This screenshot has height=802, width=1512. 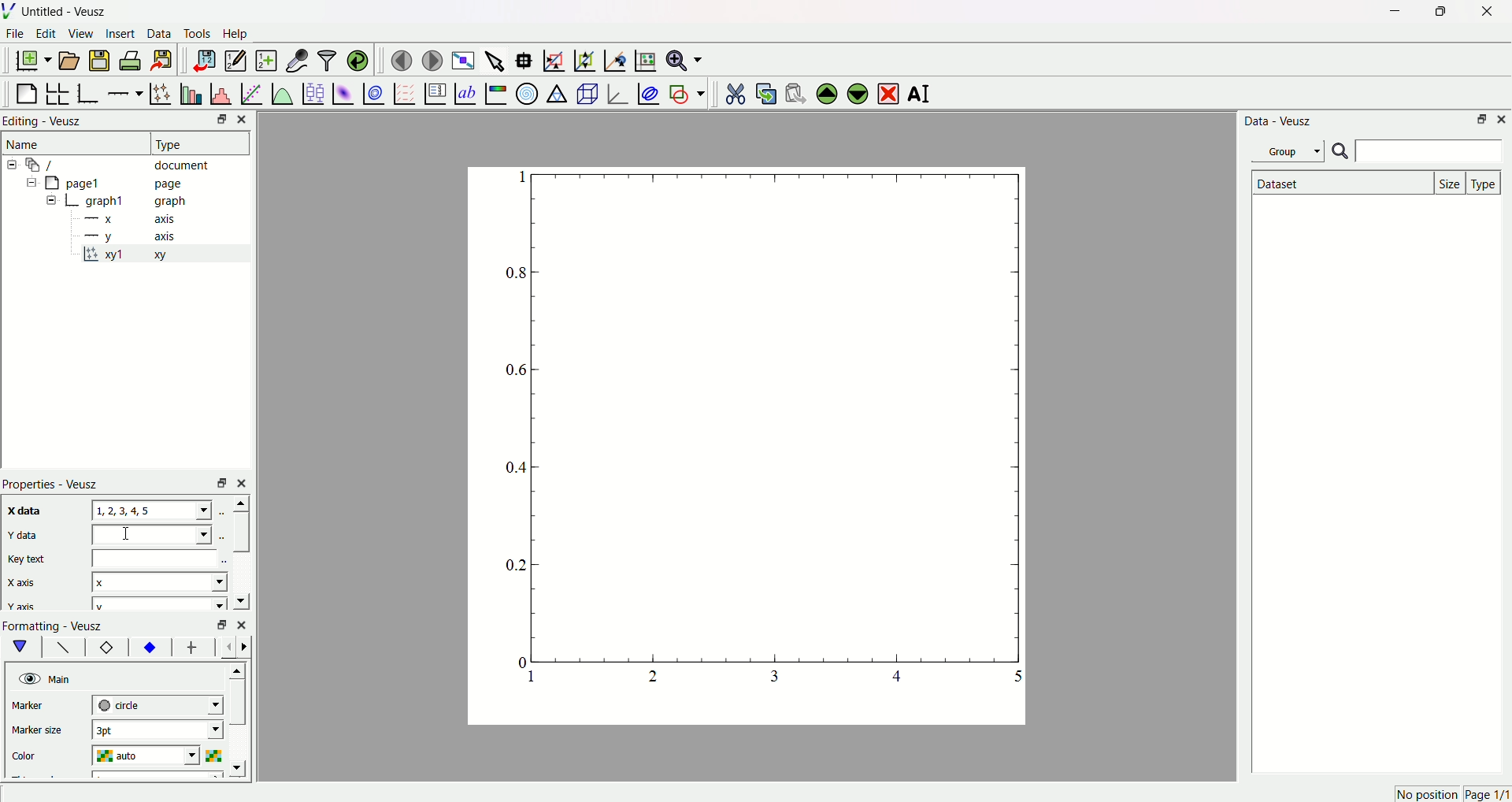 What do you see at coordinates (612, 57) in the screenshot?
I see `recenter the graph axes` at bounding box center [612, 57].